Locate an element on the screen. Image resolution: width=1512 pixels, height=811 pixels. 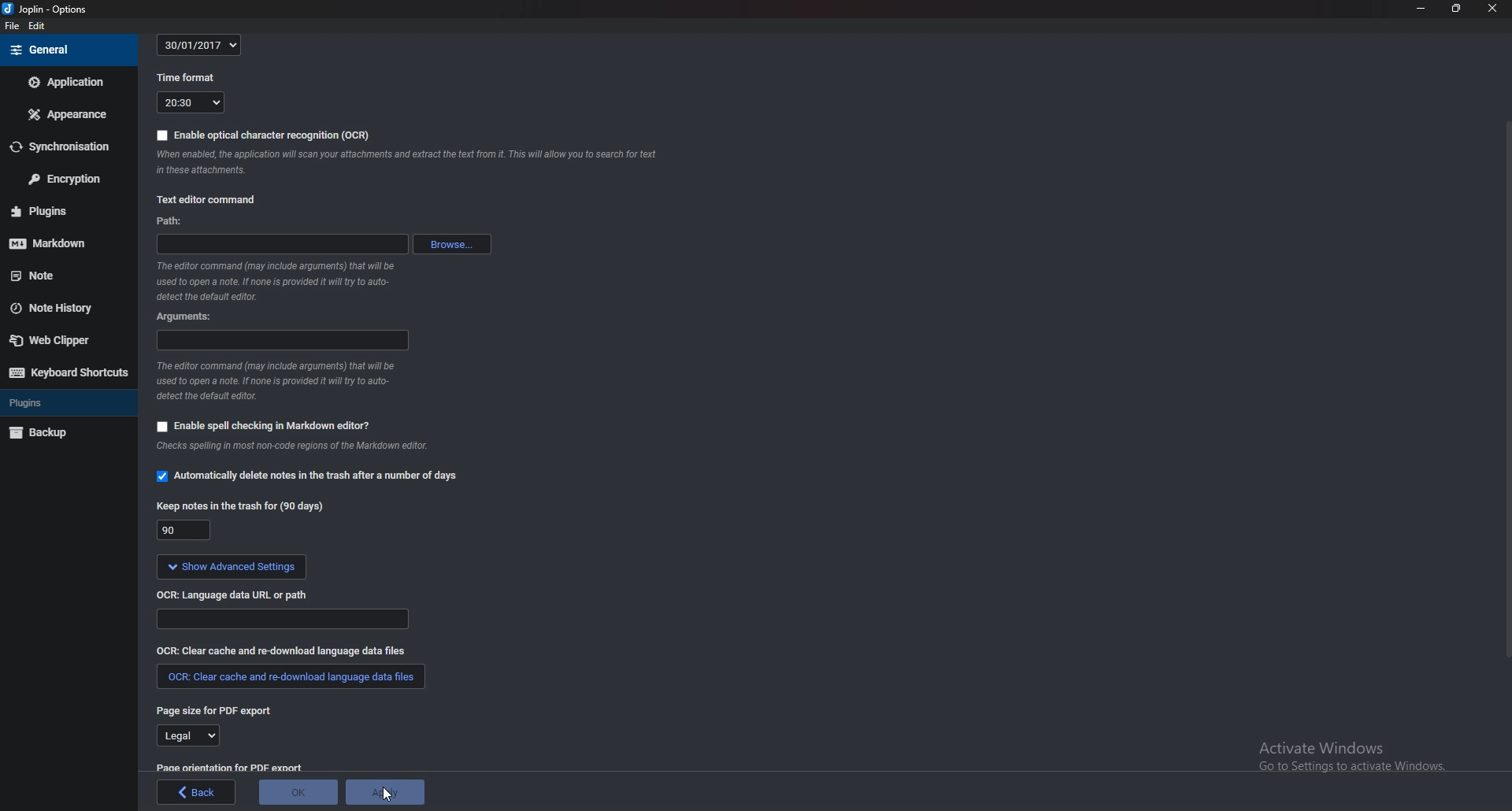
Language data is located at coordinates (284, 621).